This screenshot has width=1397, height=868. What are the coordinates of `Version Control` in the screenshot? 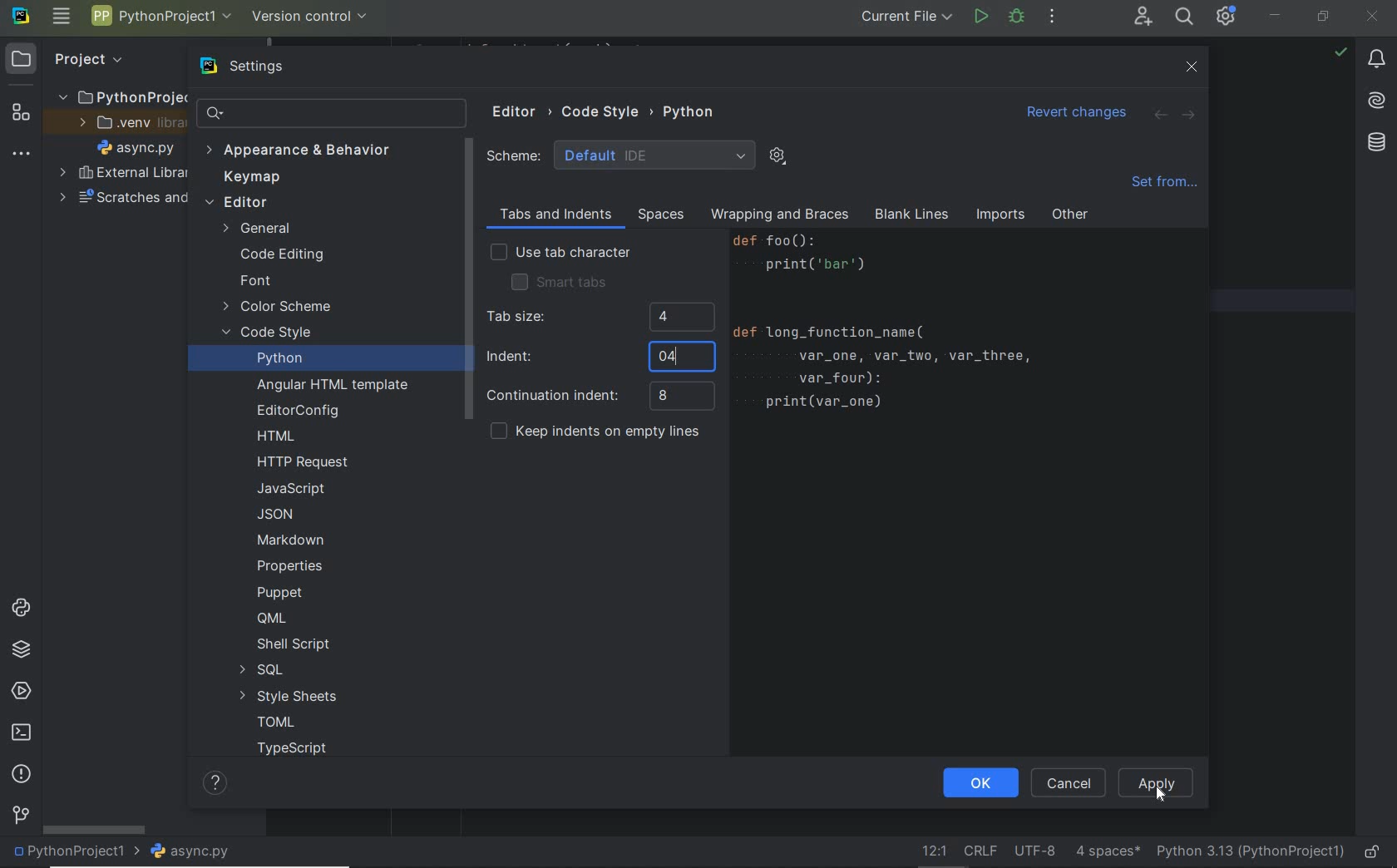 It's located at (310, 17).